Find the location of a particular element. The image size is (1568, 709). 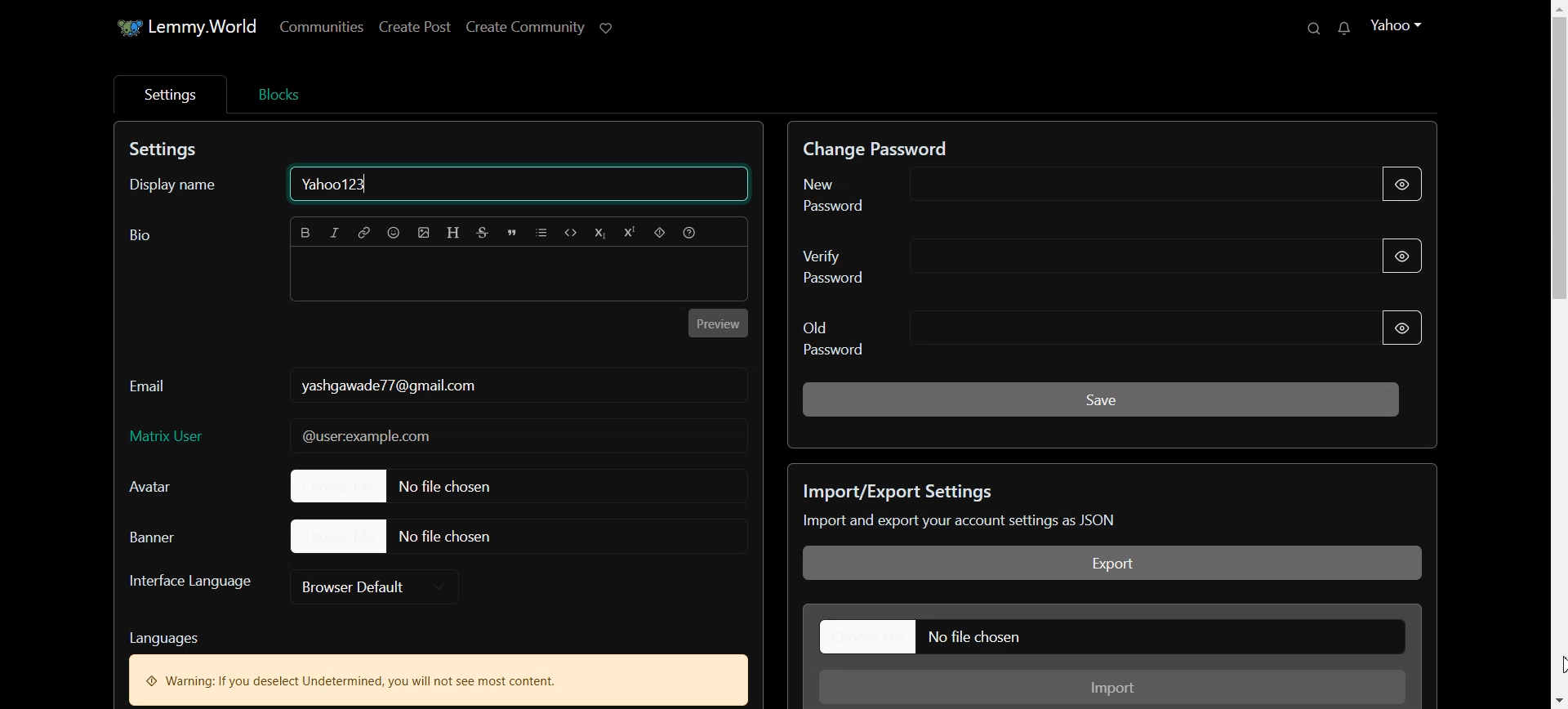

Baner is located at coordinates (171, 536).